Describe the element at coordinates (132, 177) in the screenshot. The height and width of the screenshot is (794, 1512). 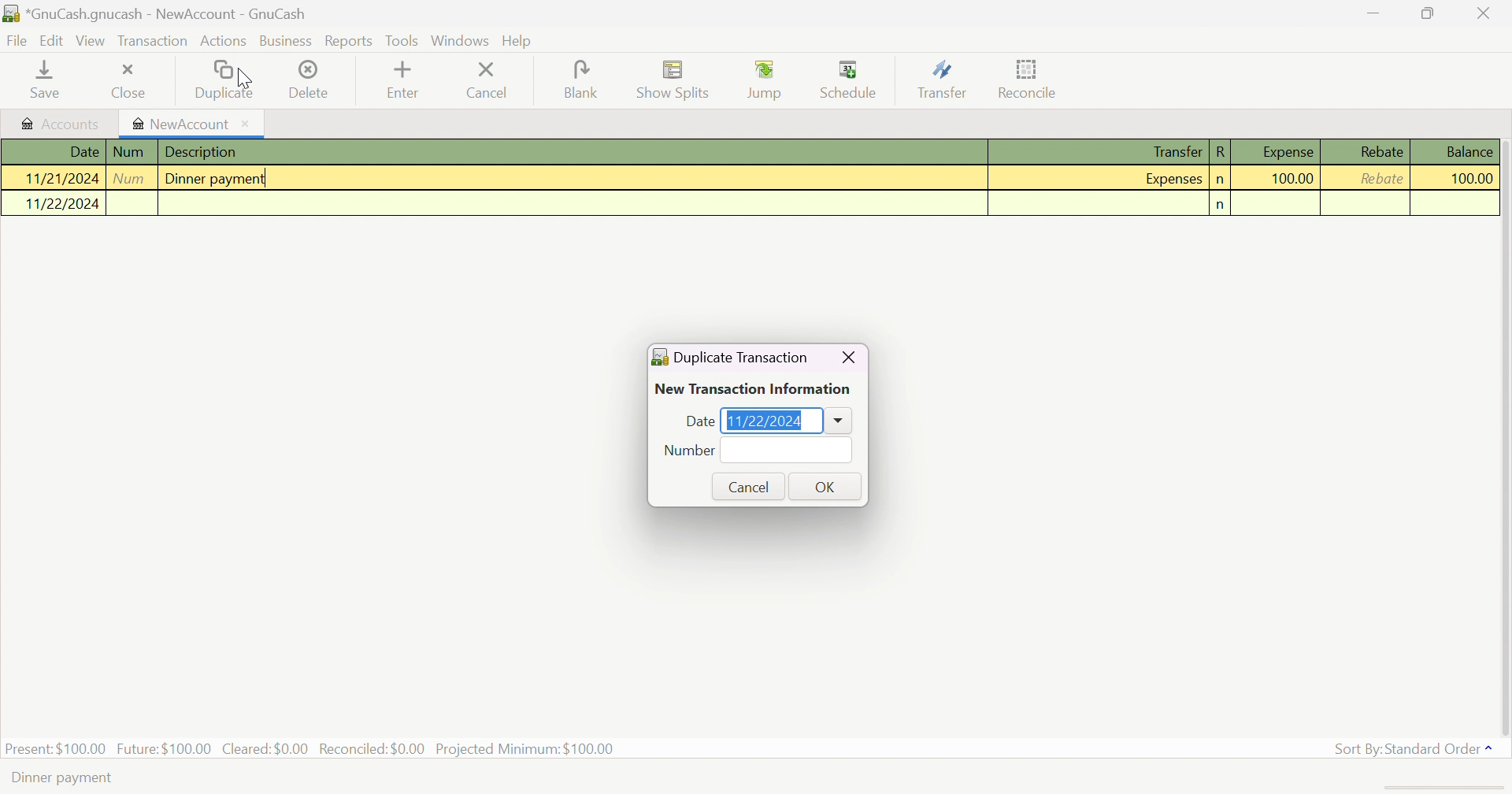
I see `Num` at that location.